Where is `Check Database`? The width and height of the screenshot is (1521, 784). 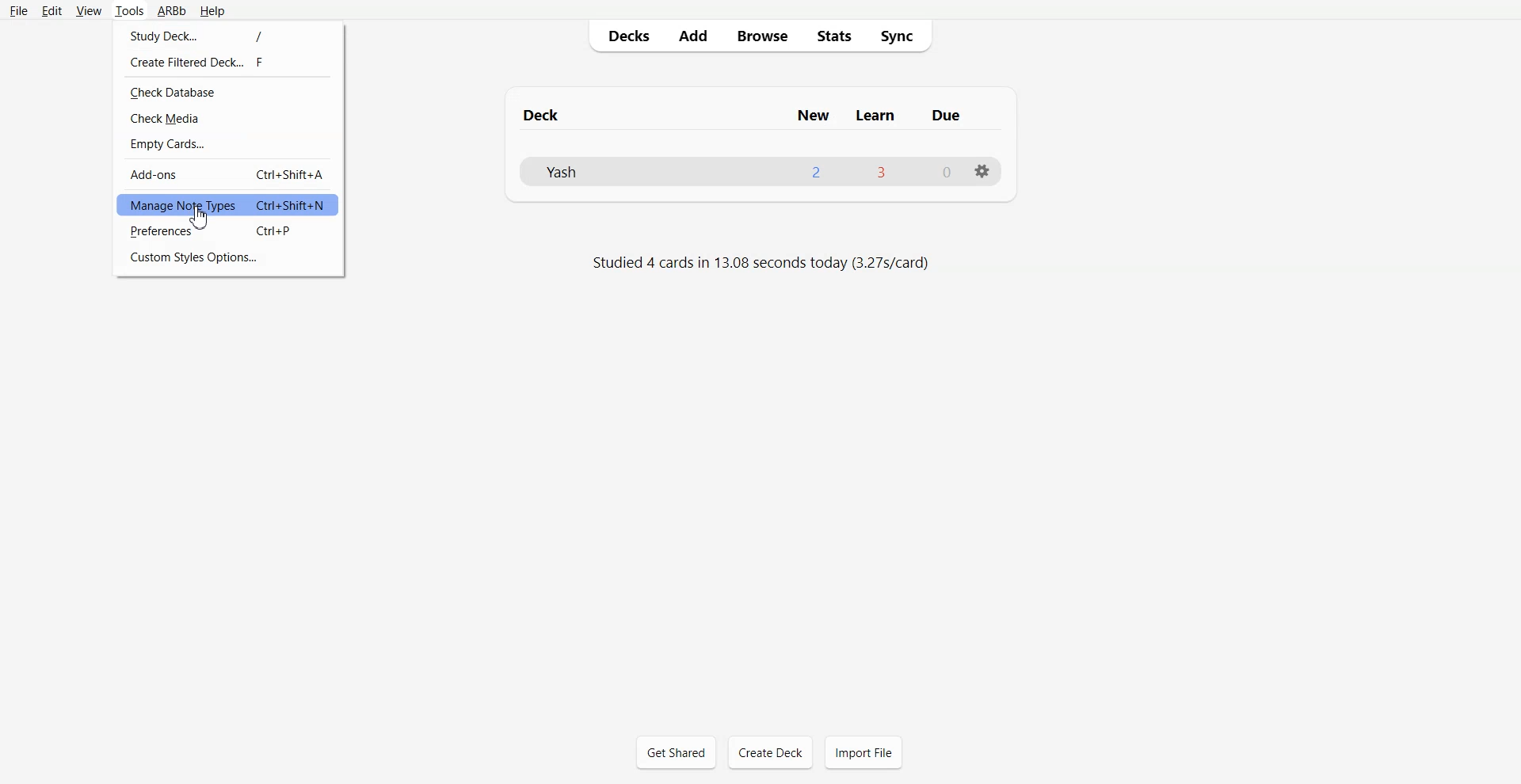 Check Database is located at coordinates (228, 90).